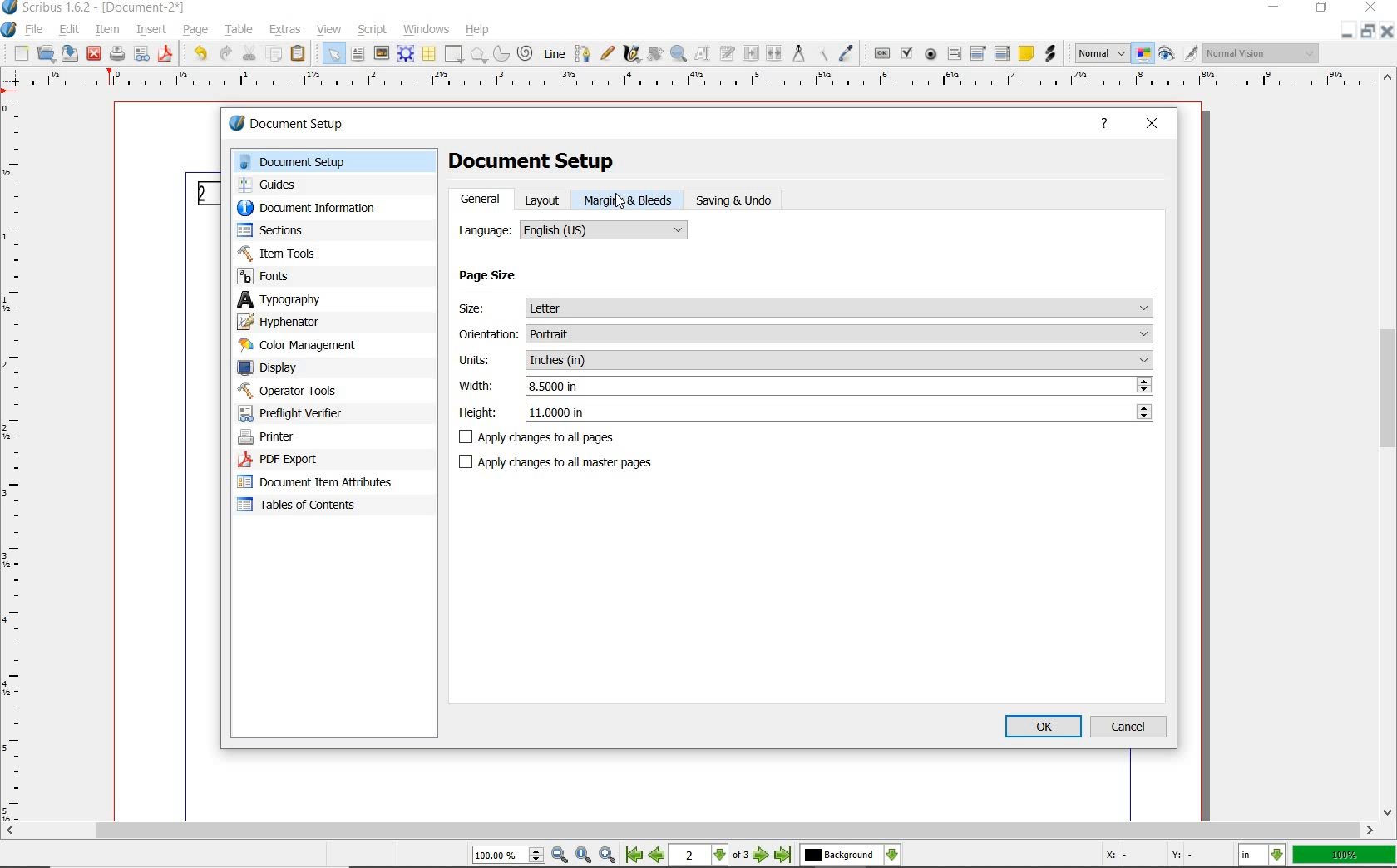 The image size is (1397, 868). Describe the element at coordinates (197, 31) in the screenshot. I see `page` at that location.